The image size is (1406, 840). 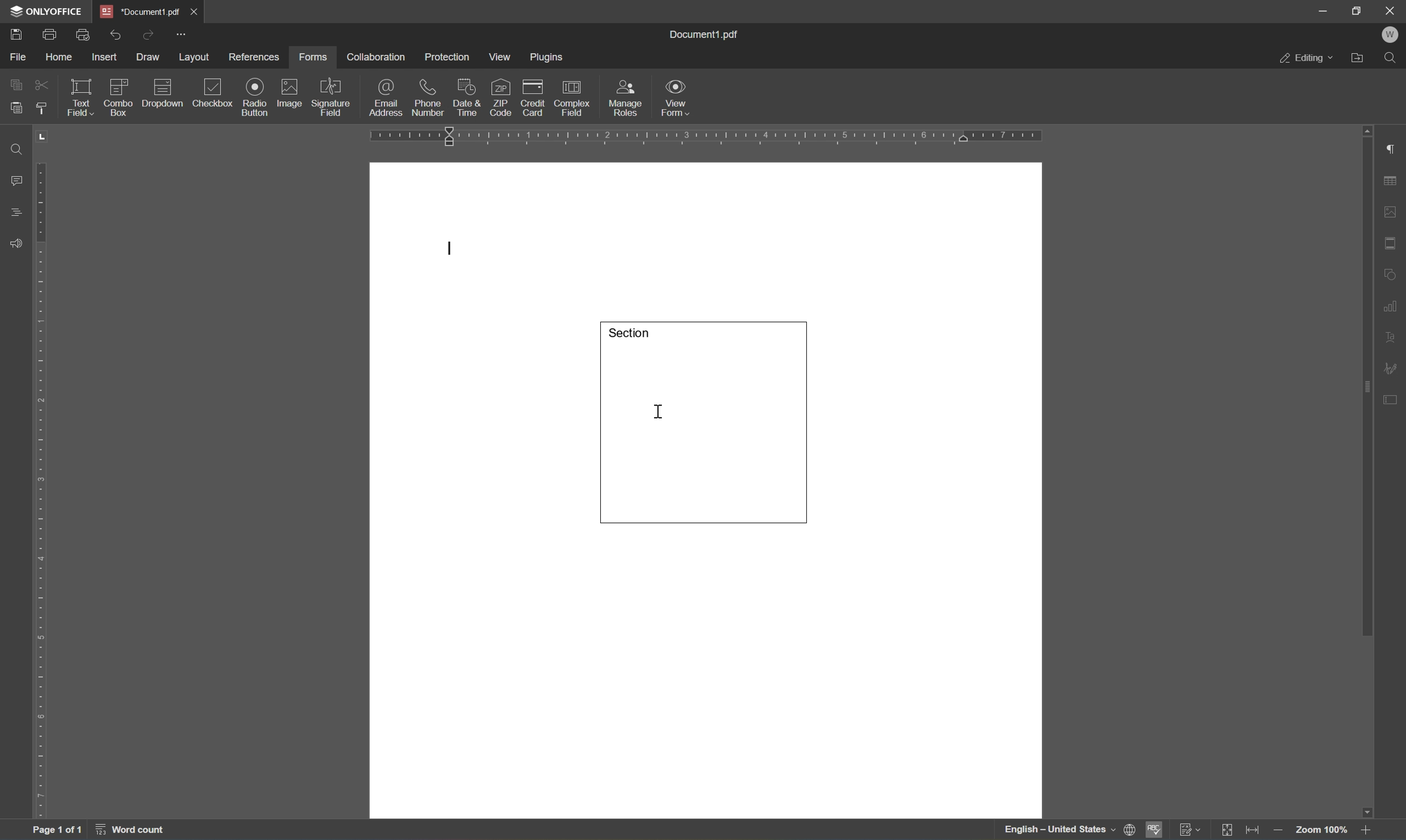 What do you see at coordinates (15, 179) in the screenshot?
I see `comments` at bounding box center [15, 179].